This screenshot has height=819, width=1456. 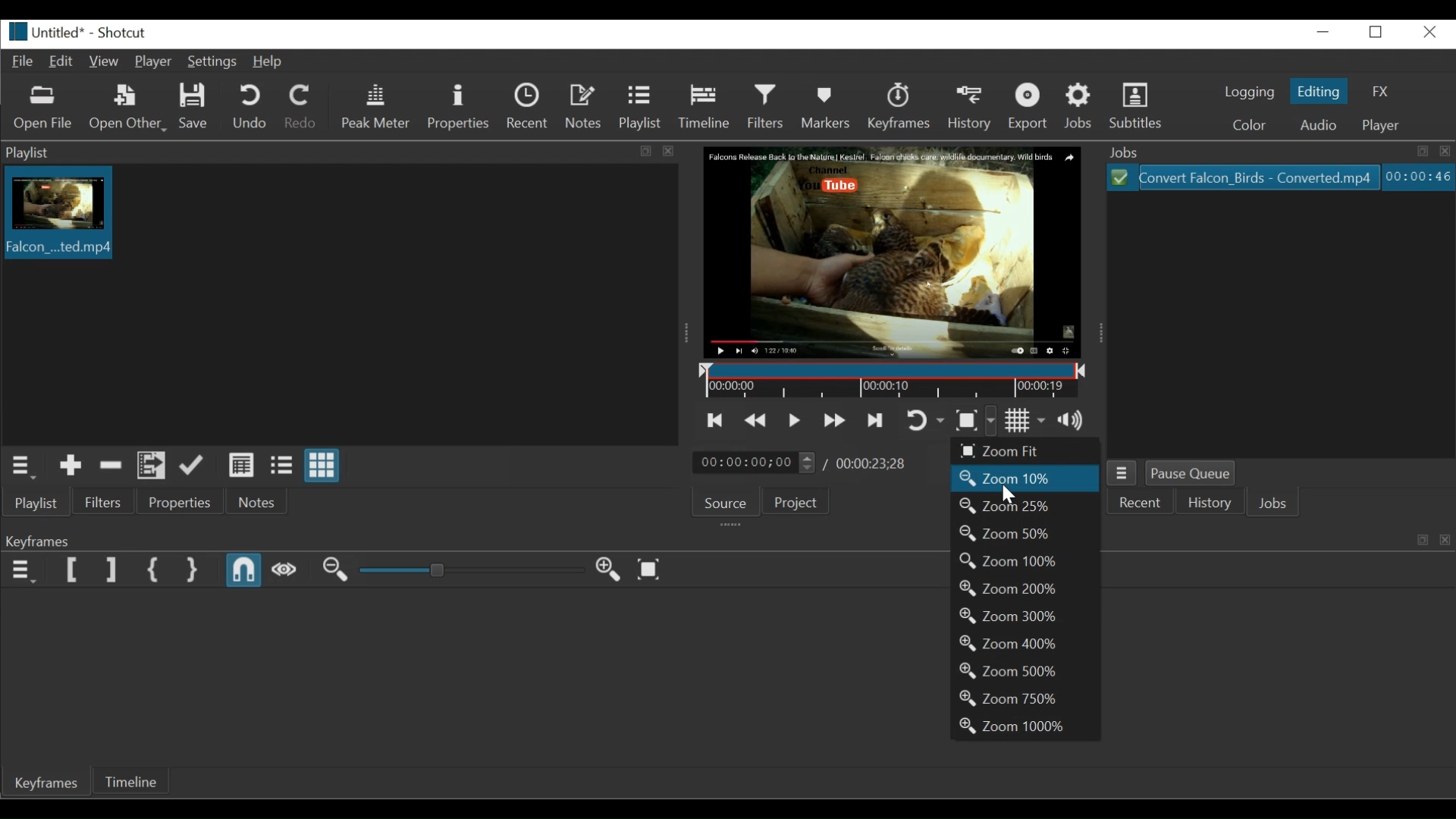 What do you see at coordinates (1249, 125) in the screenshot?
I see `Color` at bounding box center [1249, 125].